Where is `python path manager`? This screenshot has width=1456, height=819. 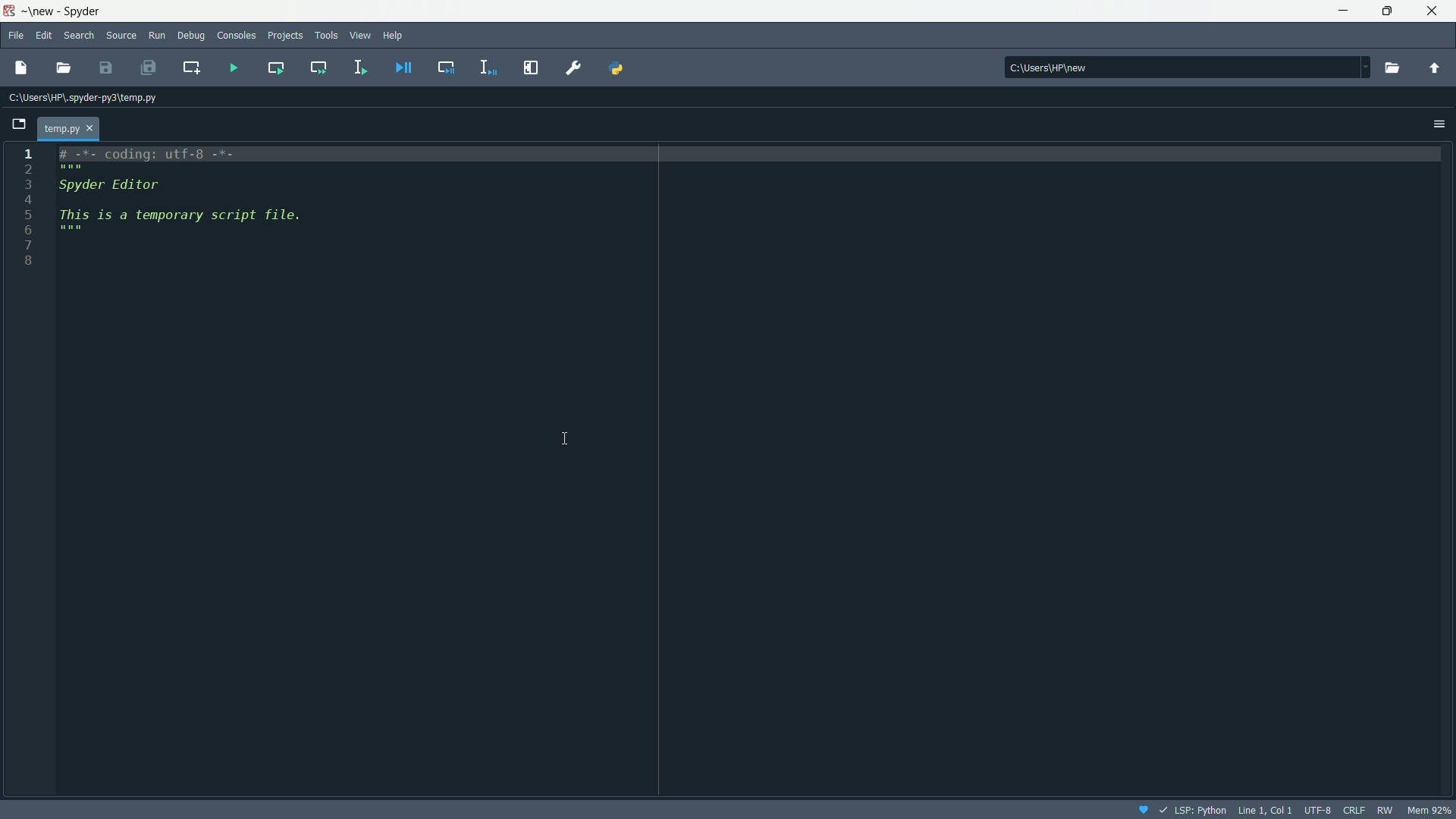
python path manager is located at coordinates (620, 67).